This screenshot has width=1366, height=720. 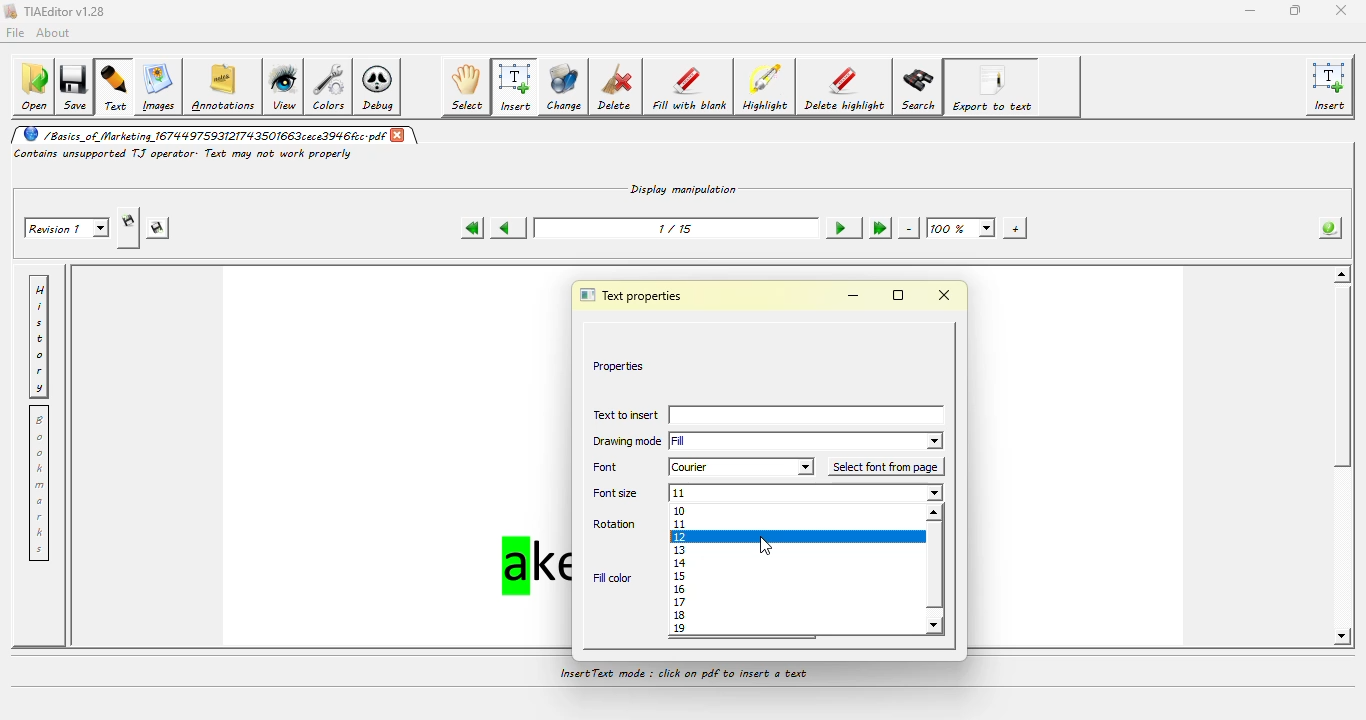 What do you see at coordinates (116, 88) in the screenshot?
I see `text` at bounding box center [116, 88].